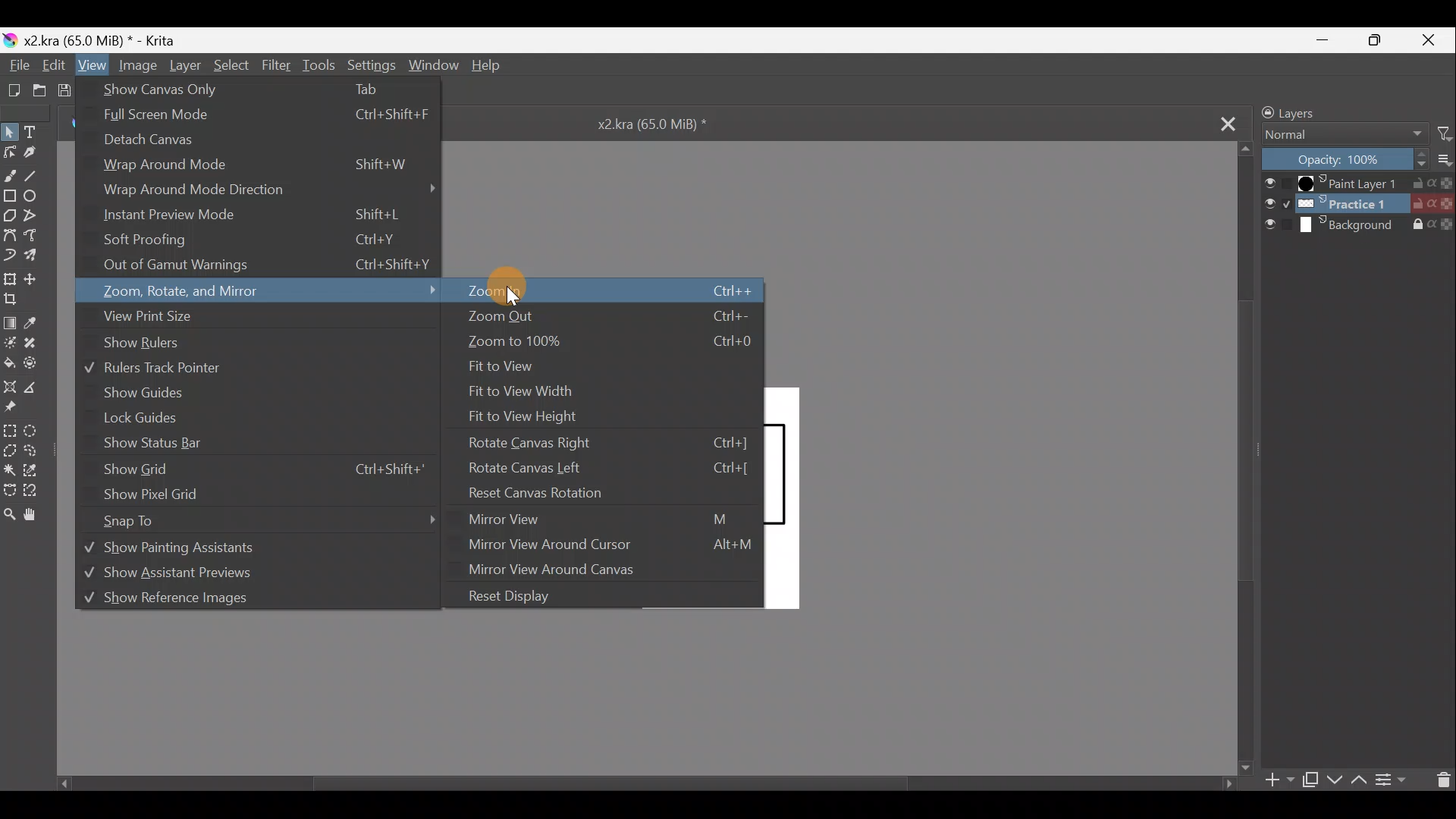 The image size is (1456, 819). Describe the element at coordinates (38, 468) in the screenshot. I see `Similar colour selection tool` at that location.